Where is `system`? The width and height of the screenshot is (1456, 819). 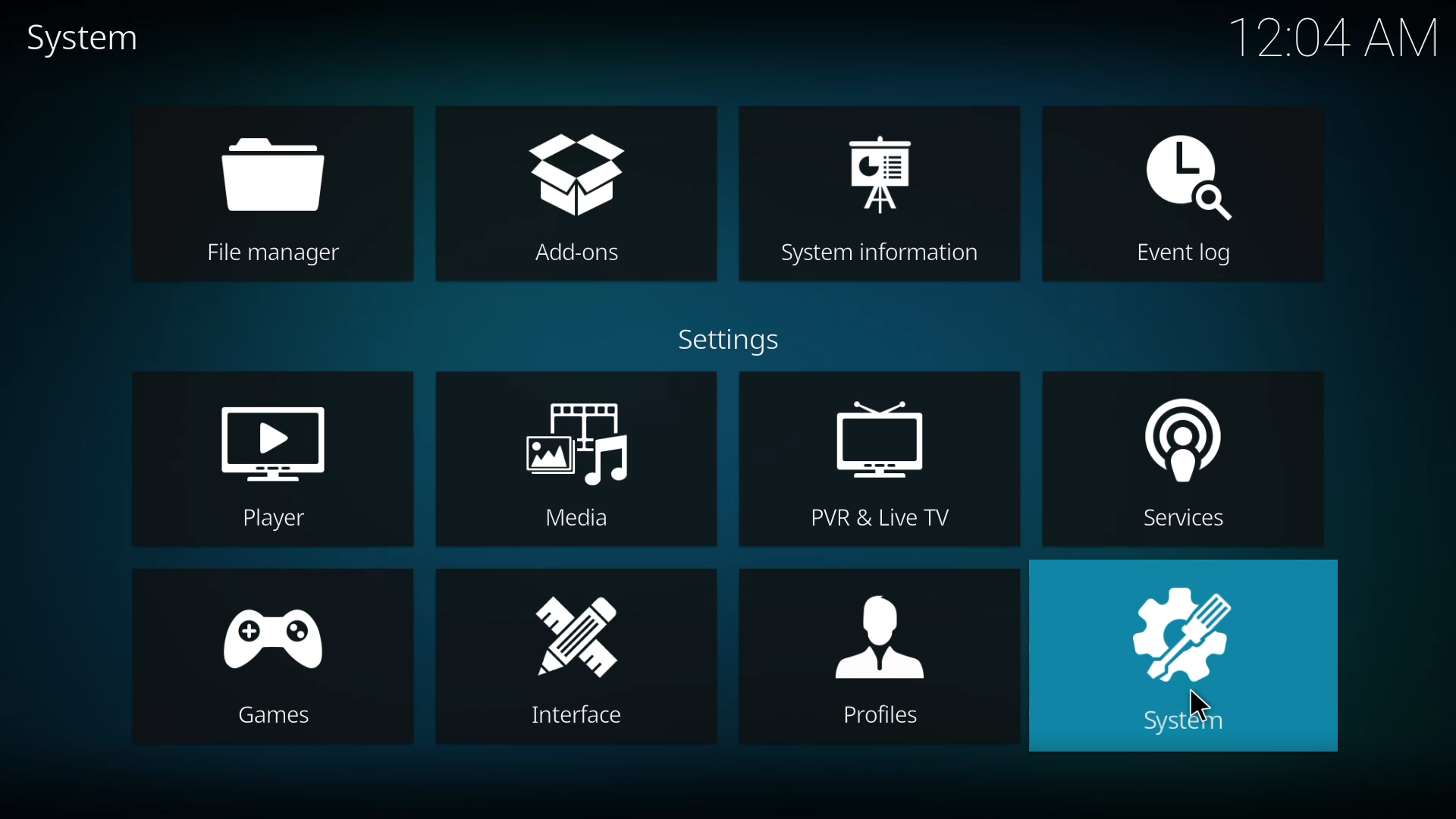
system is located at coordinates (82, 38).